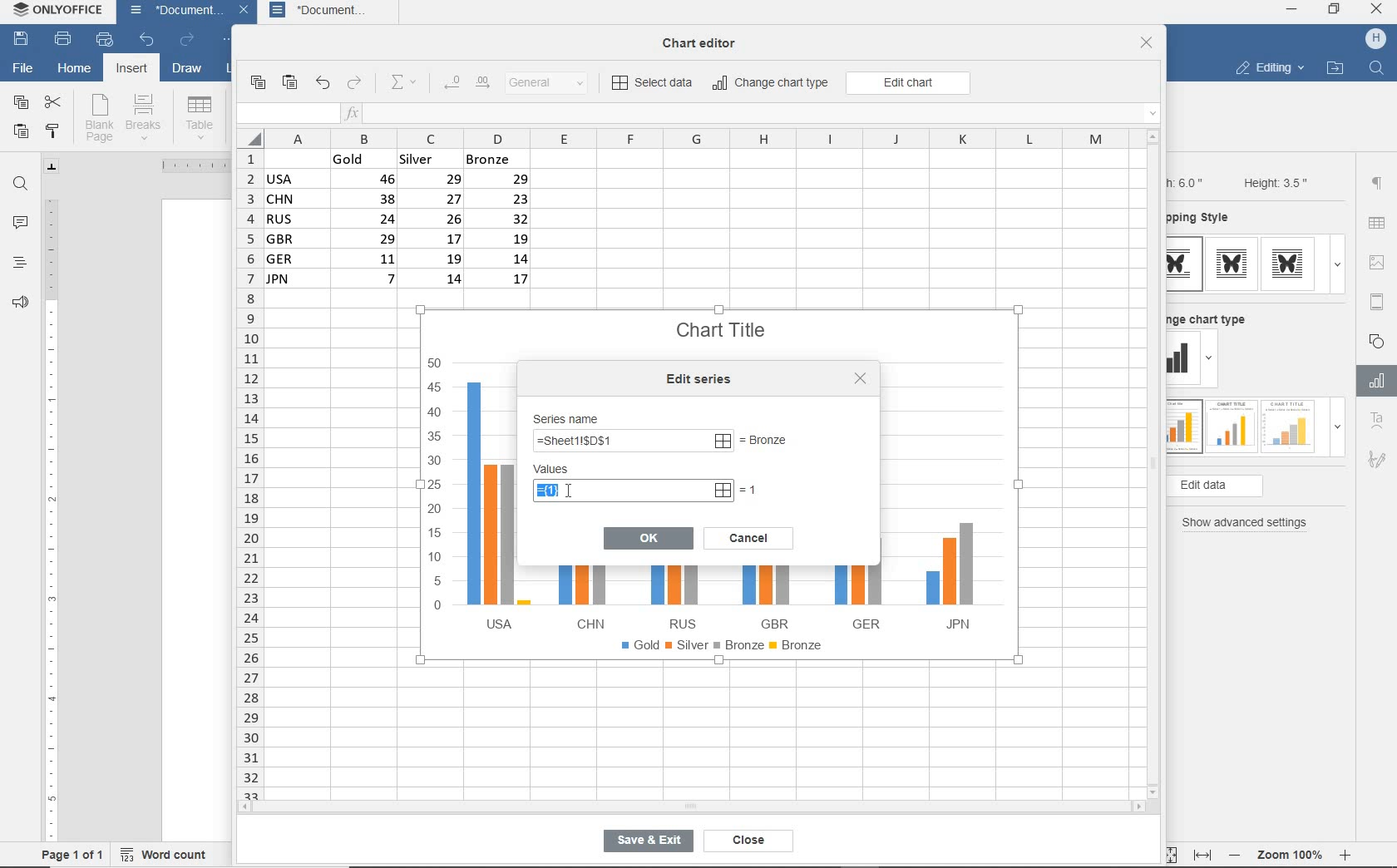  Describe the element at coordinates (1237, 855) in the screenshot. I see `zoom out` at that location.